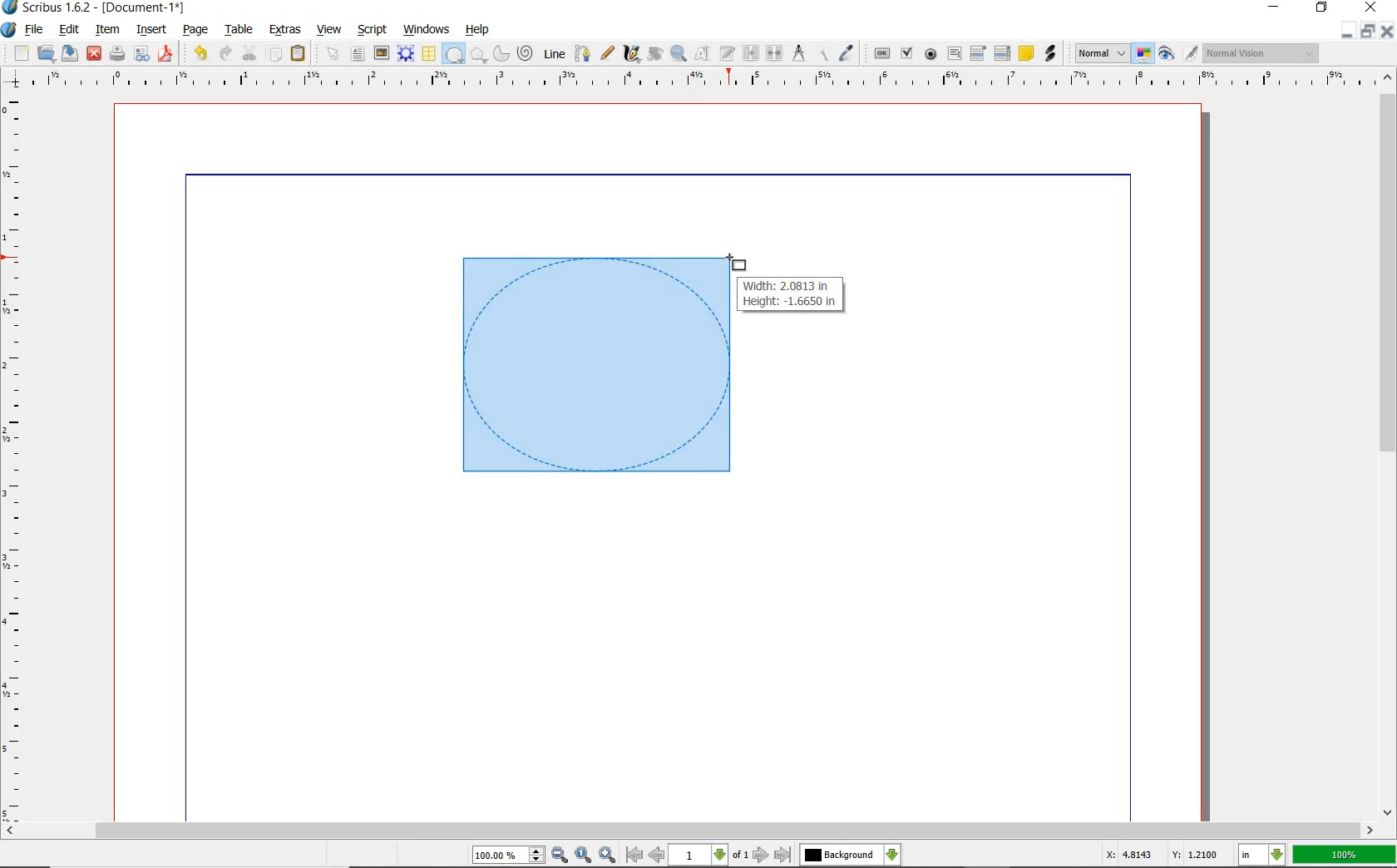  Describe the element at coordinates (117, 55) in the screenshot. I see `PRINT` at that location.